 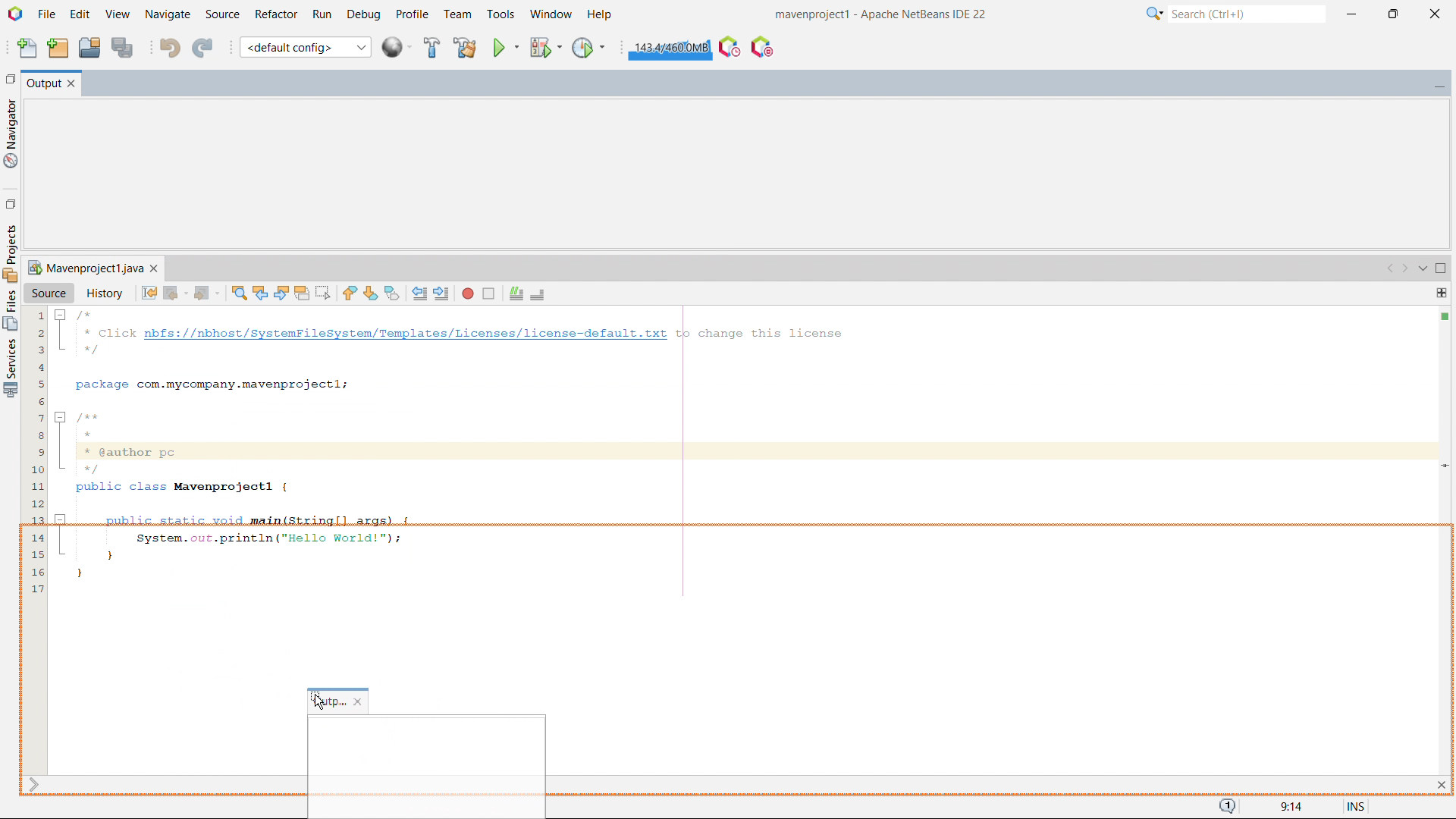 I want to click on last edit, so click(x=149, y=292).